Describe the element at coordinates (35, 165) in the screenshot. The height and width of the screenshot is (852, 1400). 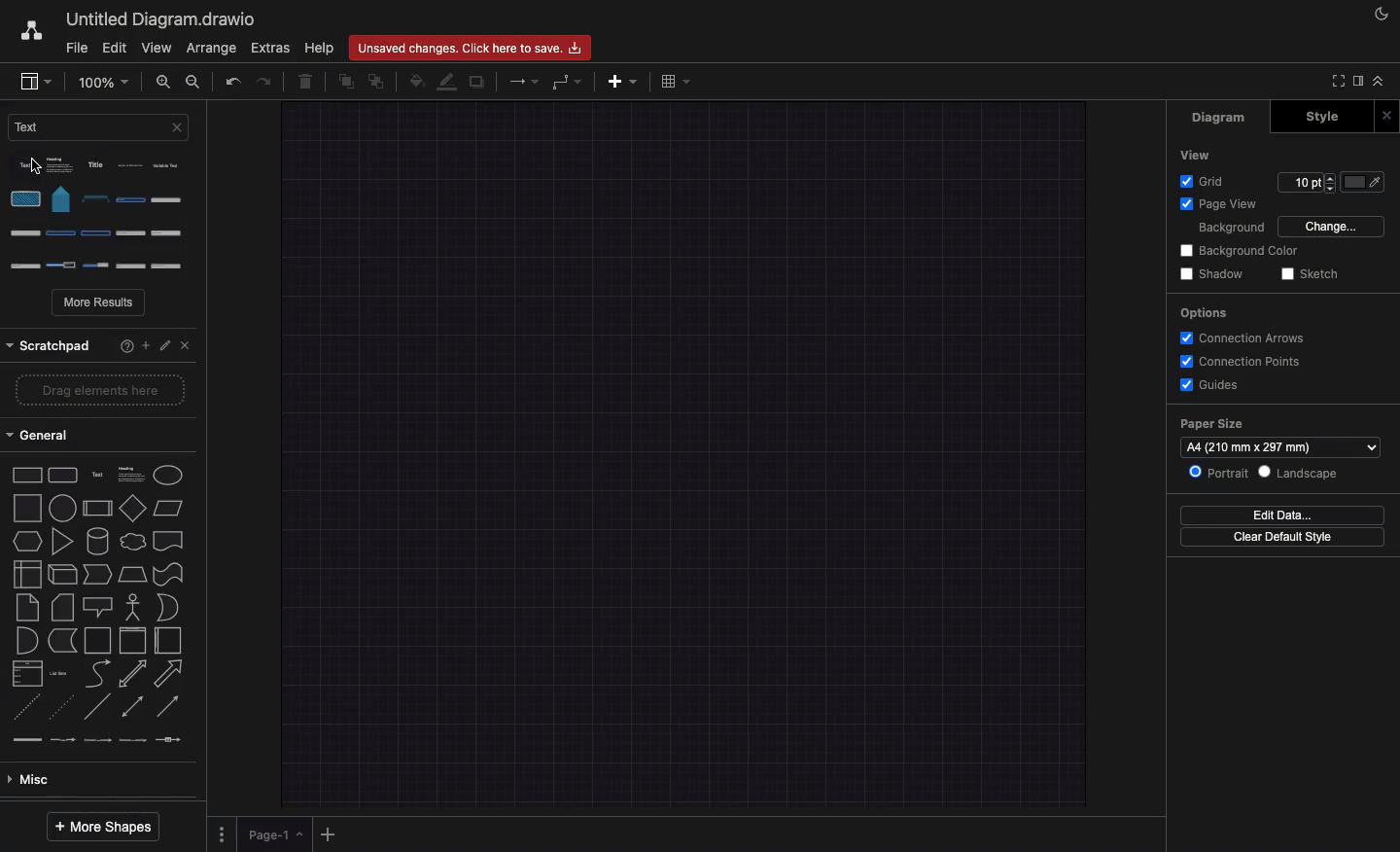
I see `cursor` at that location.